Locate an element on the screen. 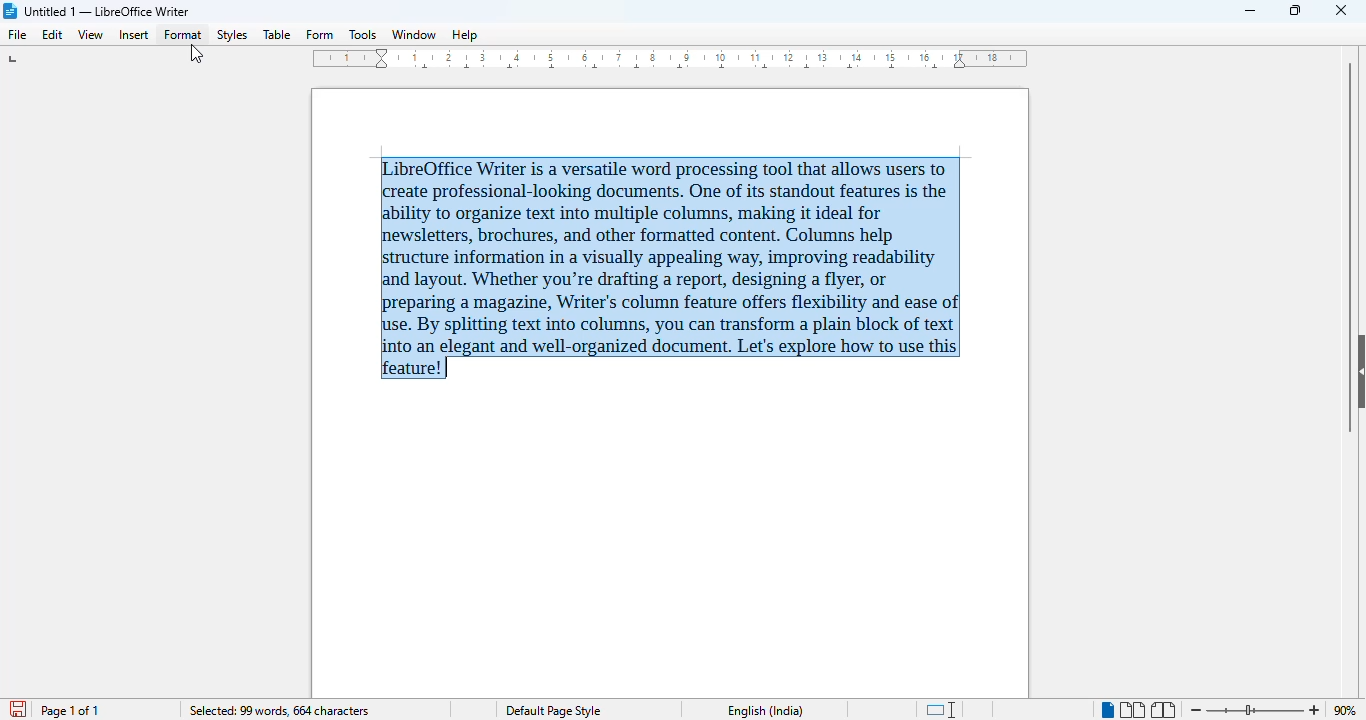 This screenshot has width=1366, height=720. close is located at coordinates (1341, 10).